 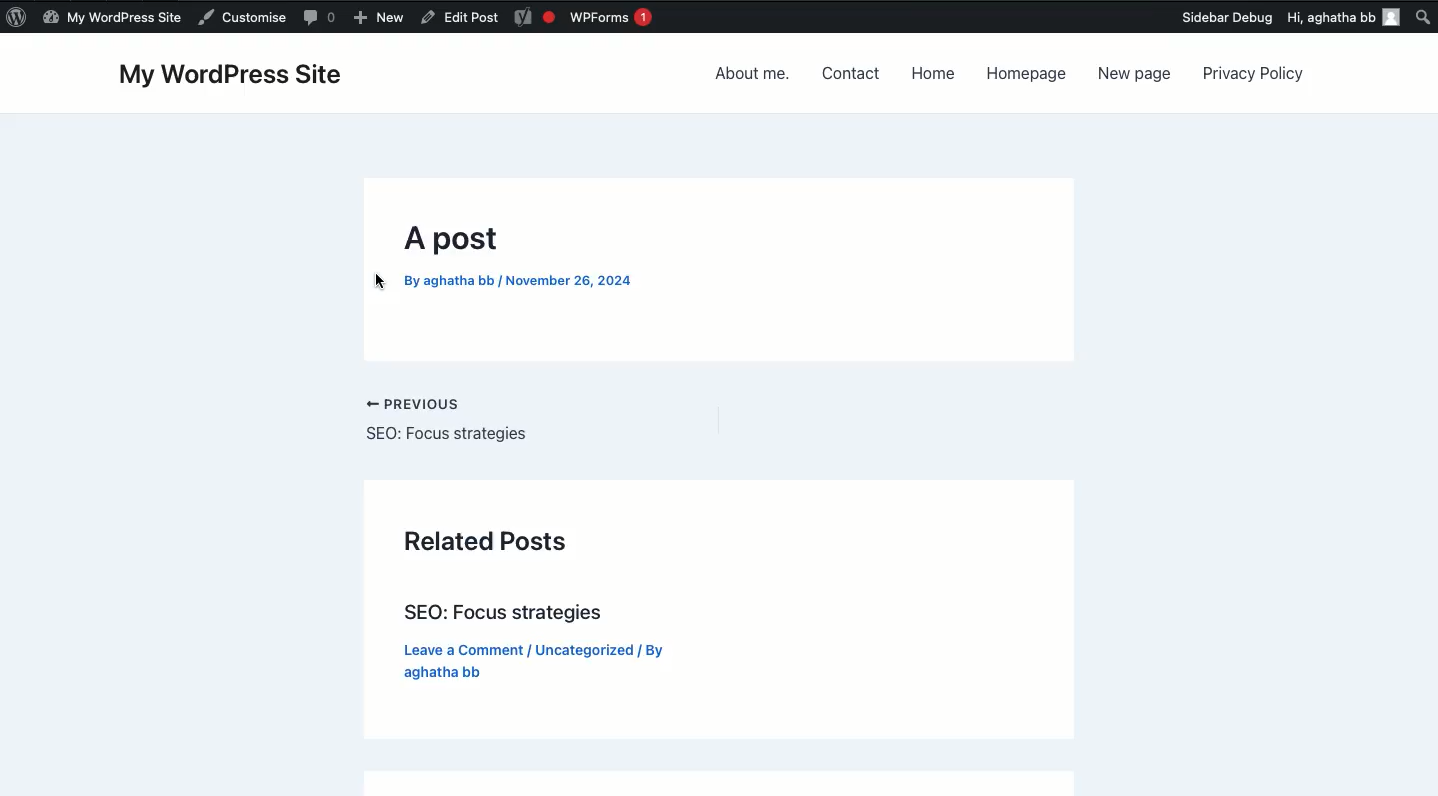 What do you see at coordinates (1137, 76) in the screenshot?
I see `New page` at bounding box center [1137, 76].